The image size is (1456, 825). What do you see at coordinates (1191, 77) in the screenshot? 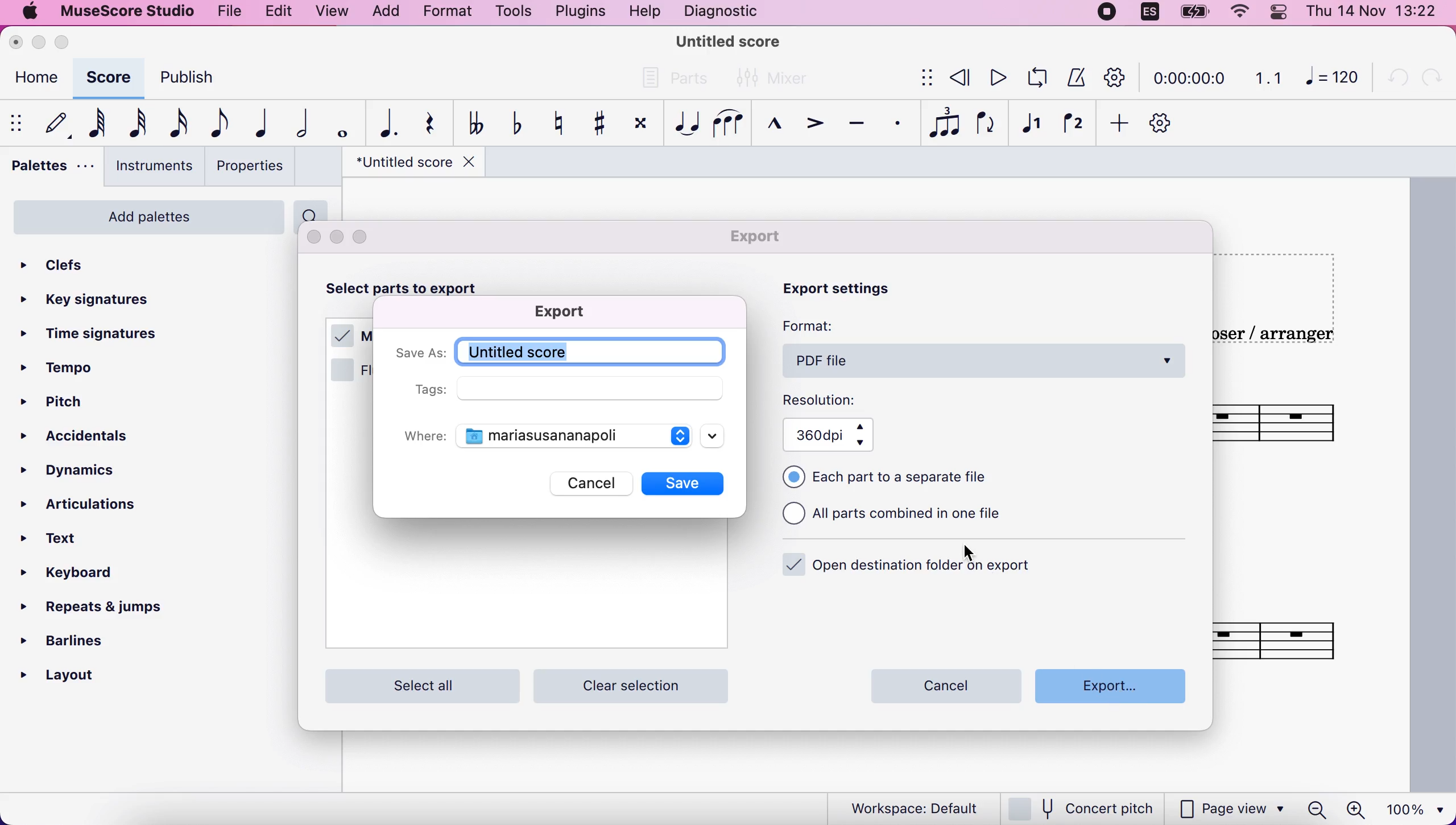
I see `time` at bounding box center [1191, 77].